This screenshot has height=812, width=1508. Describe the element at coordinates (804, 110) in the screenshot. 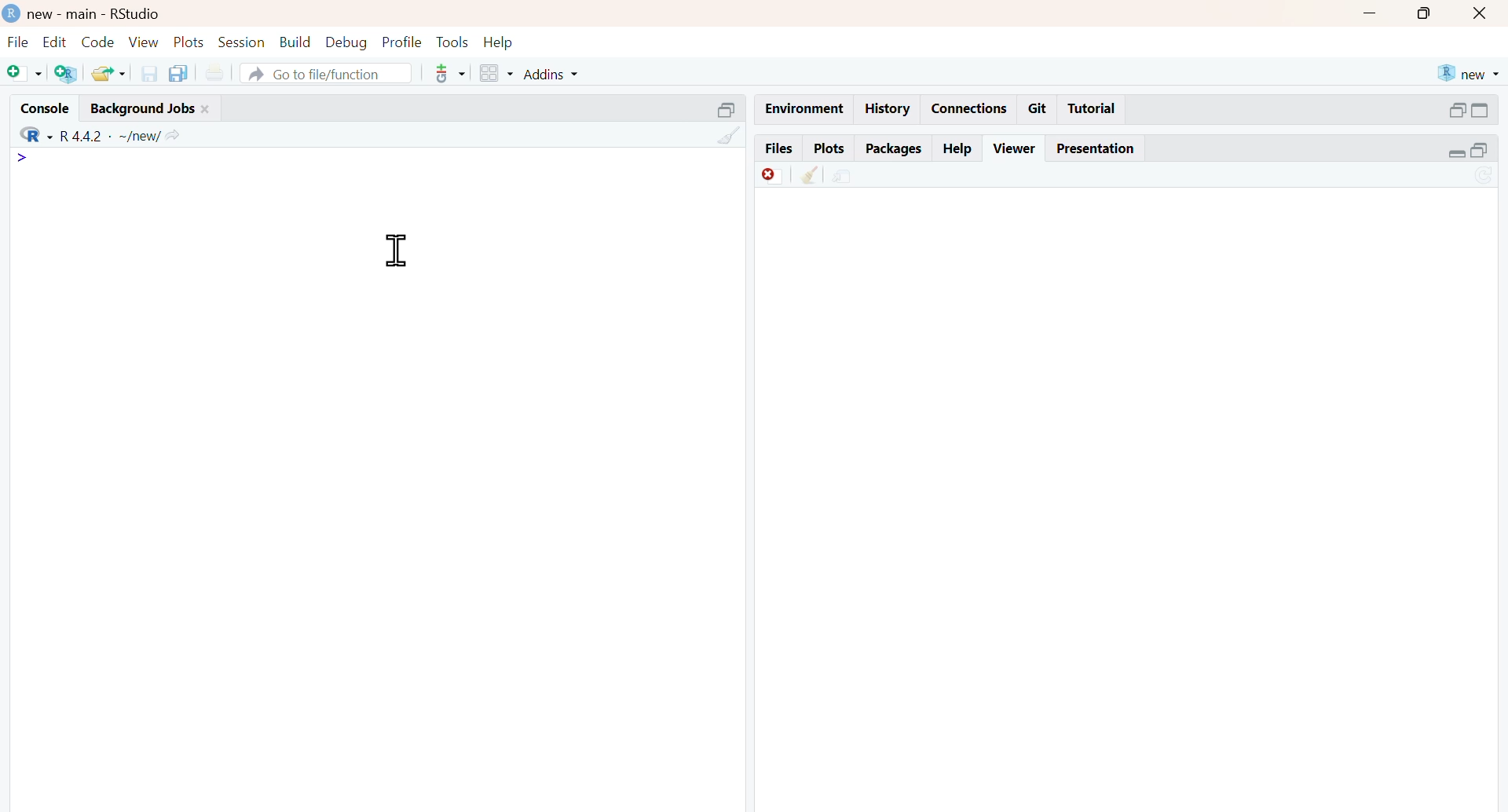

I see `Environment ` at that location.